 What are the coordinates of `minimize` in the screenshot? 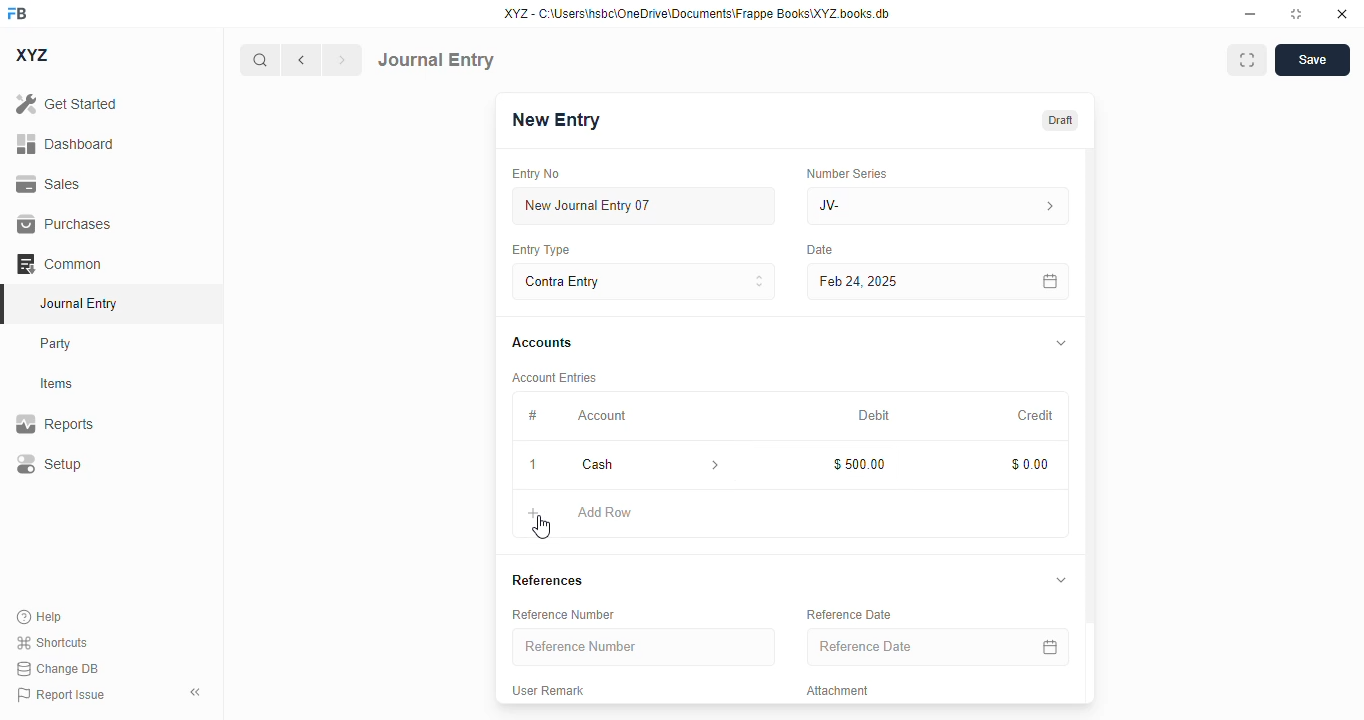 It's located at (1251, 14).